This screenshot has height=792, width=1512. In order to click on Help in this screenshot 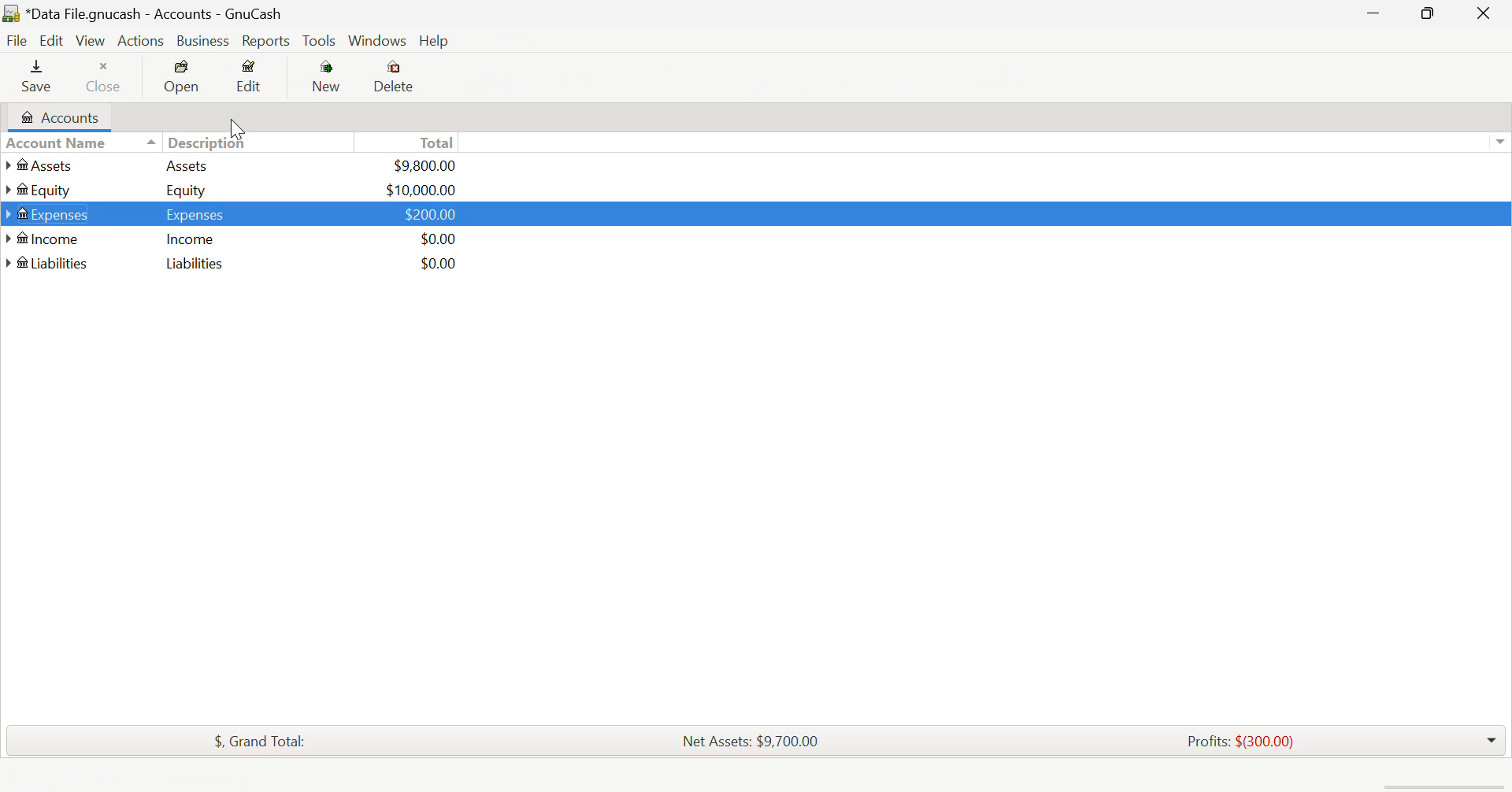, I will do `click(434, 41)`.